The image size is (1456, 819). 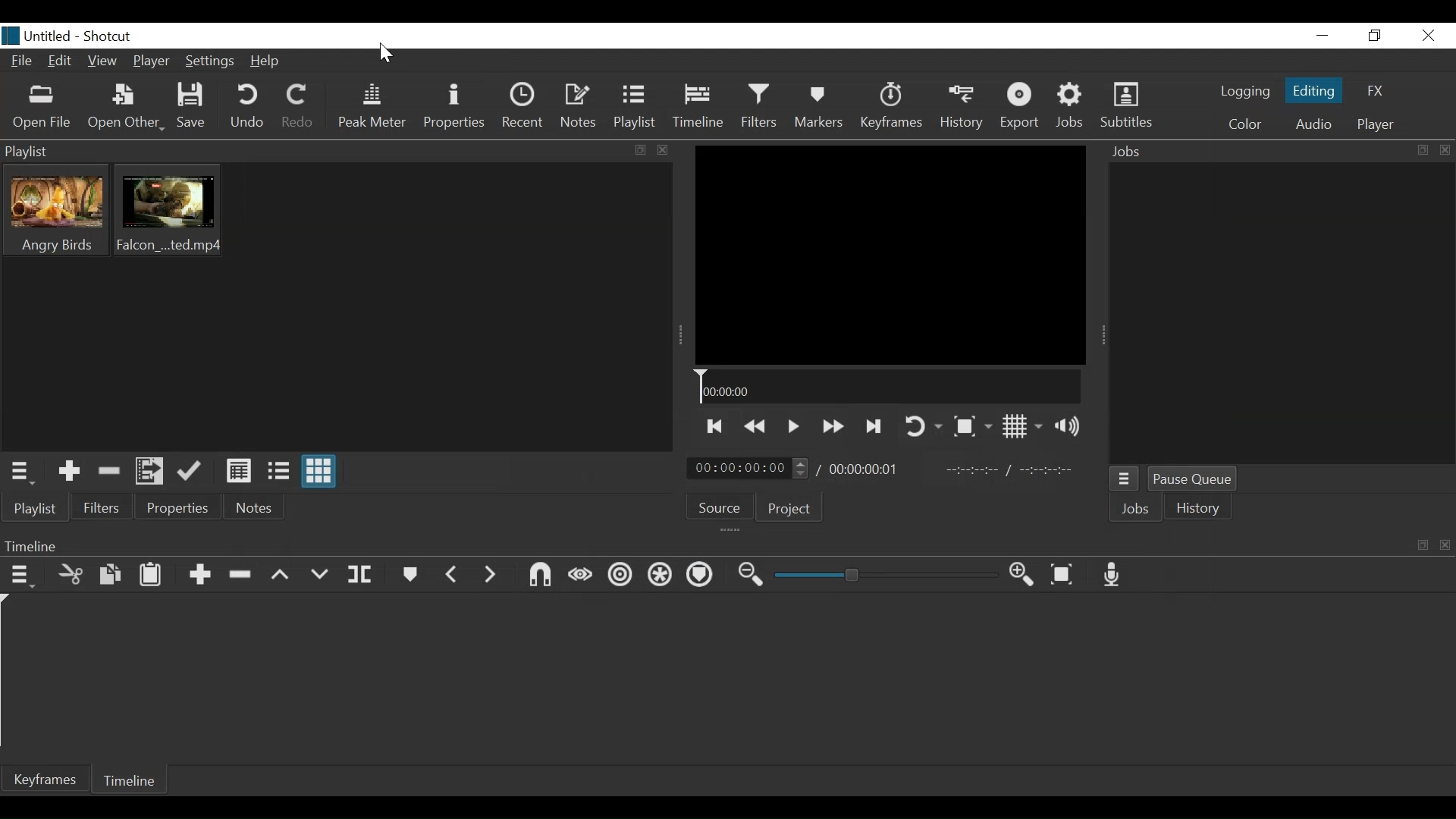 What do you see at coordinates (790, 510) in the screenshot?
I see `Project` at bounding box center [790, 510].